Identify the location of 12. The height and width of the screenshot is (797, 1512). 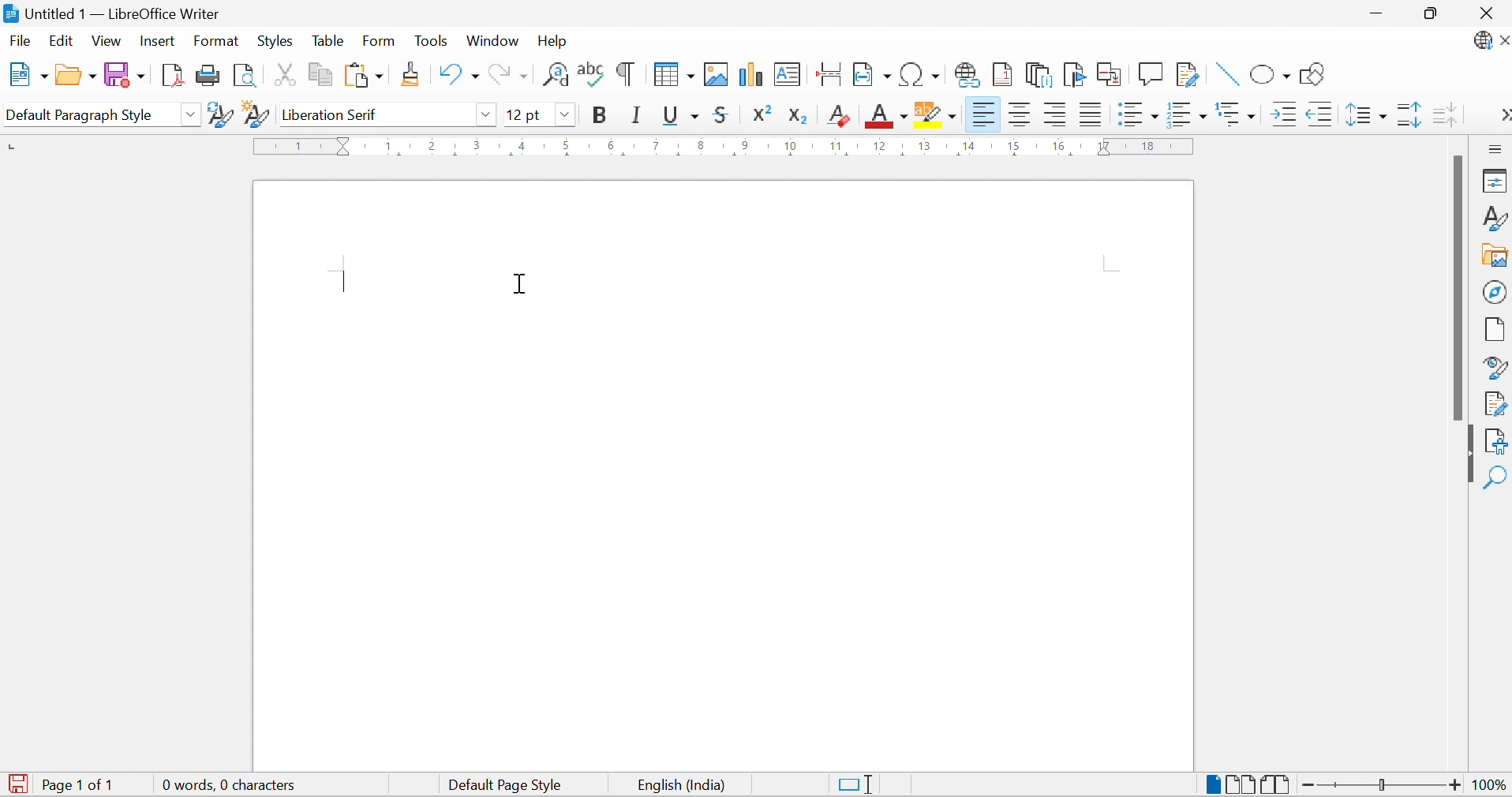
(881, 147).